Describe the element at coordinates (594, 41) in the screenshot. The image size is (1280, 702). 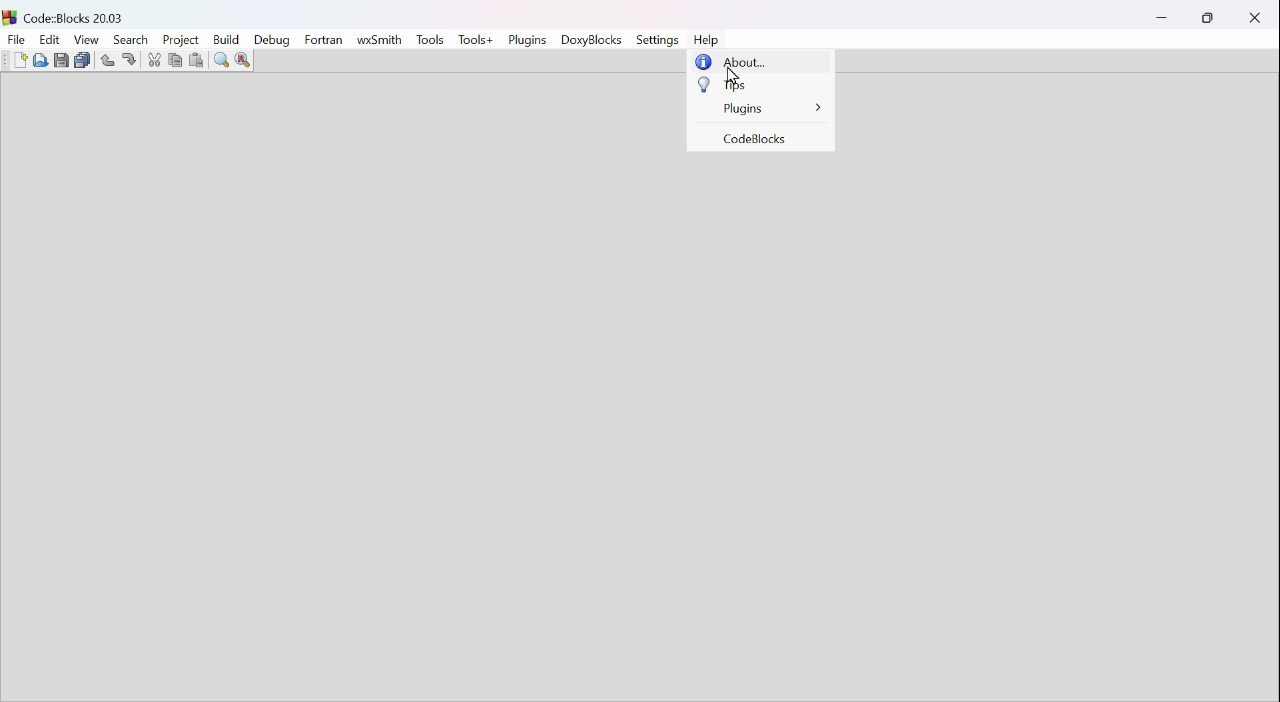
I see `Doxyblocks` at that location.